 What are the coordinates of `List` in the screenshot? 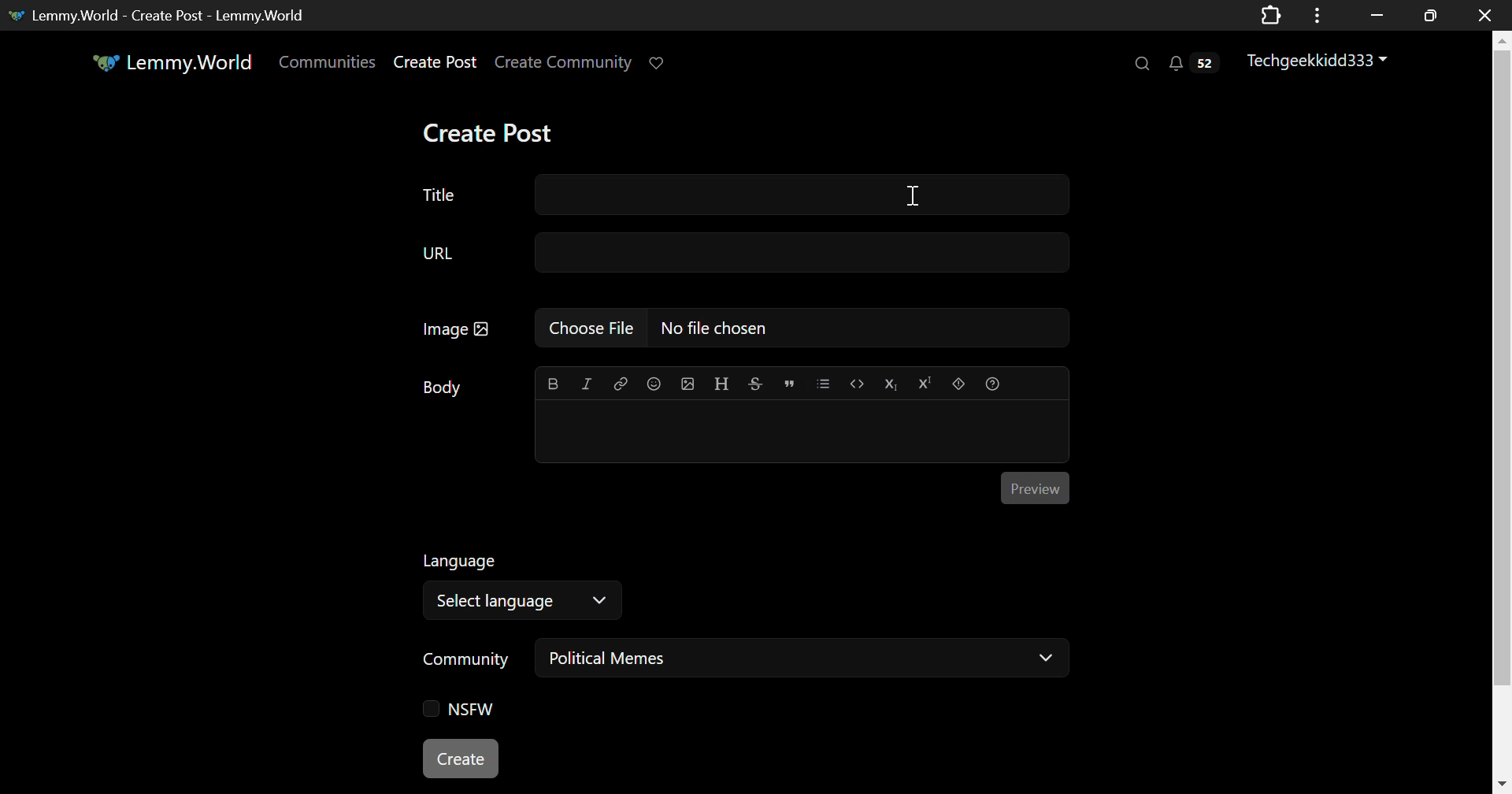 It's located at (824, 383).